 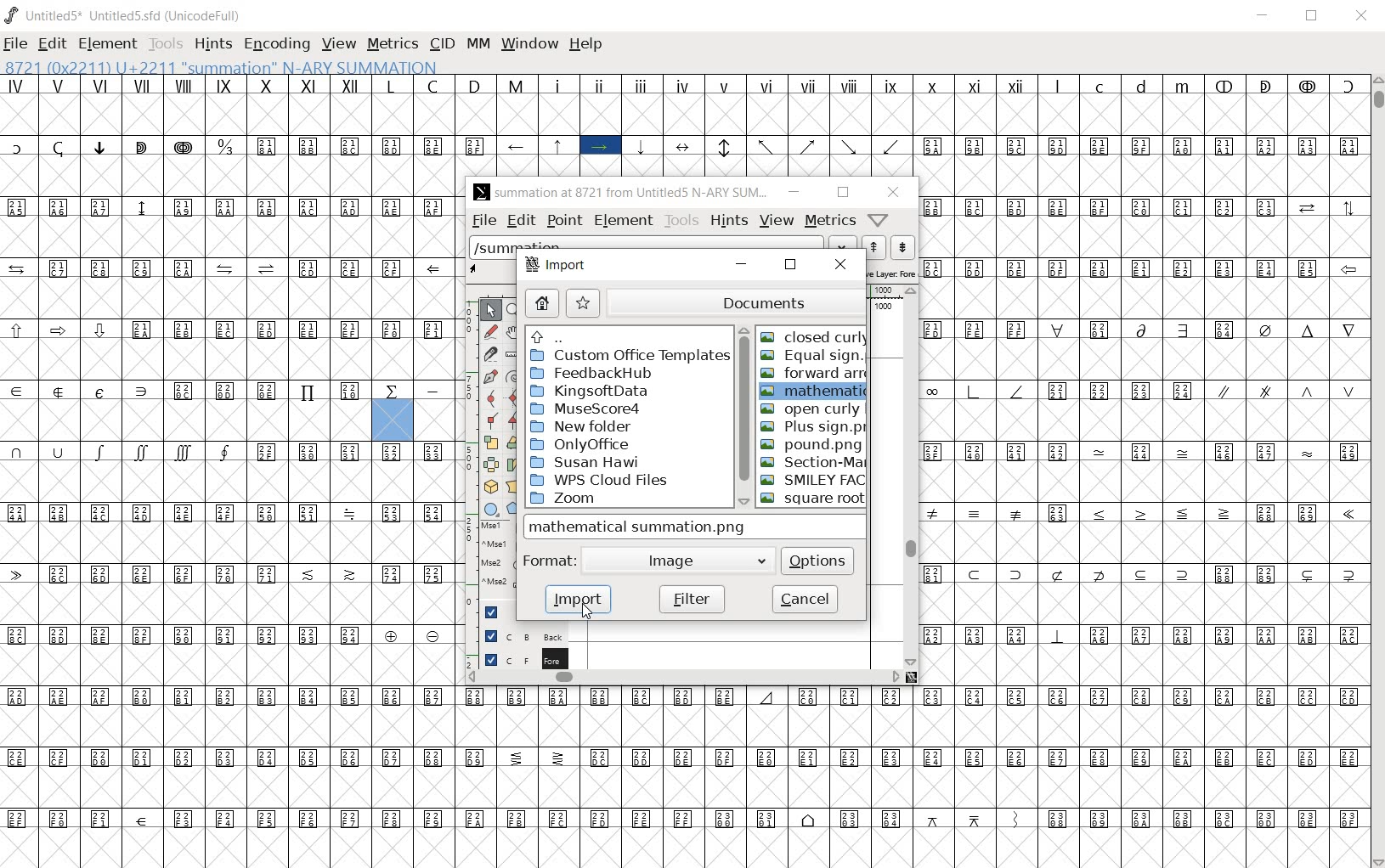 What do you see at coordinates (1312, 17) in the screenshot?
I see `RESTORE DWON` at bounding box center [1312, 17].